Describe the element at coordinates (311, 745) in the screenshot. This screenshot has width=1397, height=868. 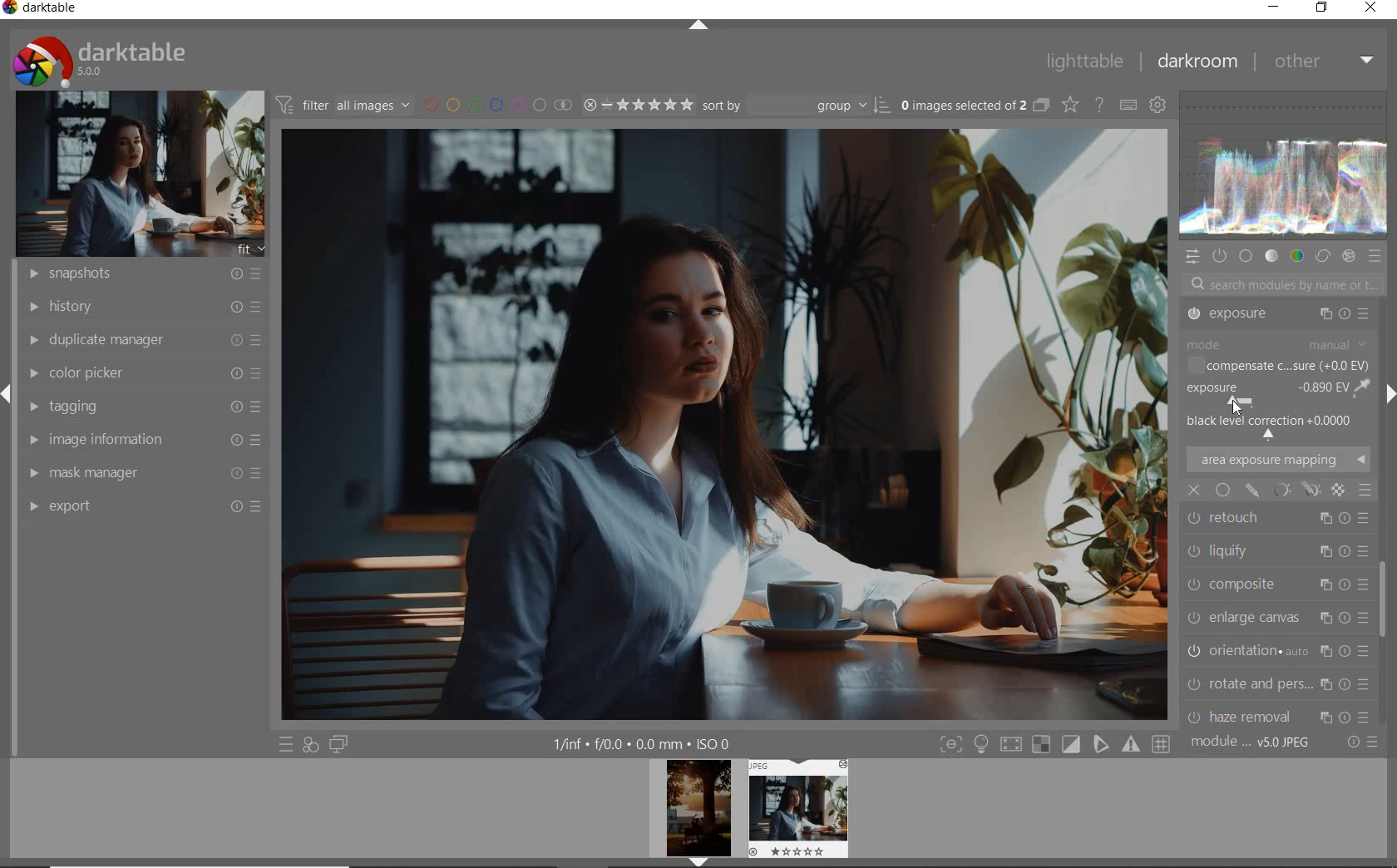
I see `QUICK ACCESS FOR APPLYING ANY OF YOUR STYLES` at that location.